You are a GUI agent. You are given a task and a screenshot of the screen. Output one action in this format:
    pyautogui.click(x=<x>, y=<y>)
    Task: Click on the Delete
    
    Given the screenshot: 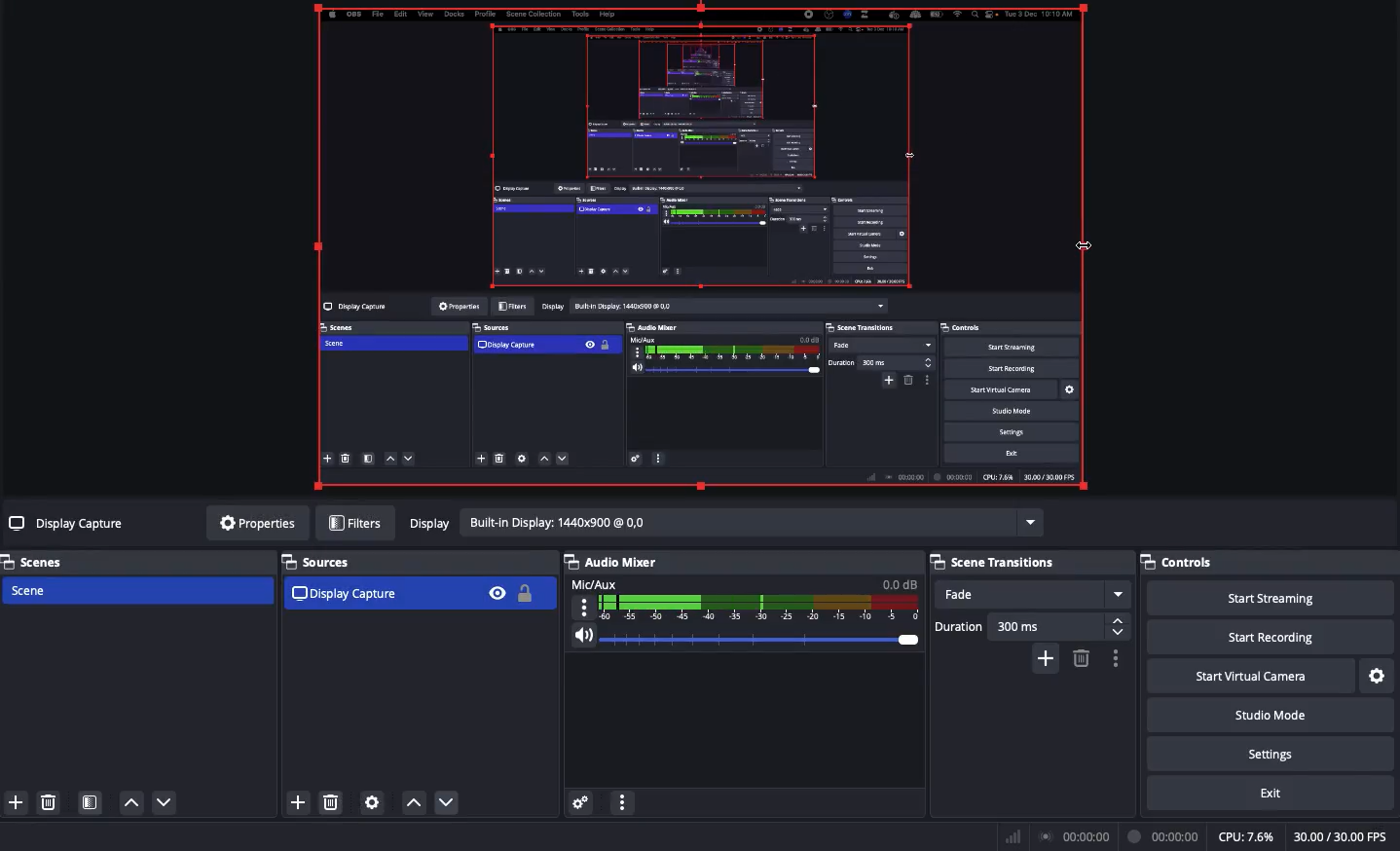 What is the action you would take?
    pyautogui.click(x=47, y=802)
    